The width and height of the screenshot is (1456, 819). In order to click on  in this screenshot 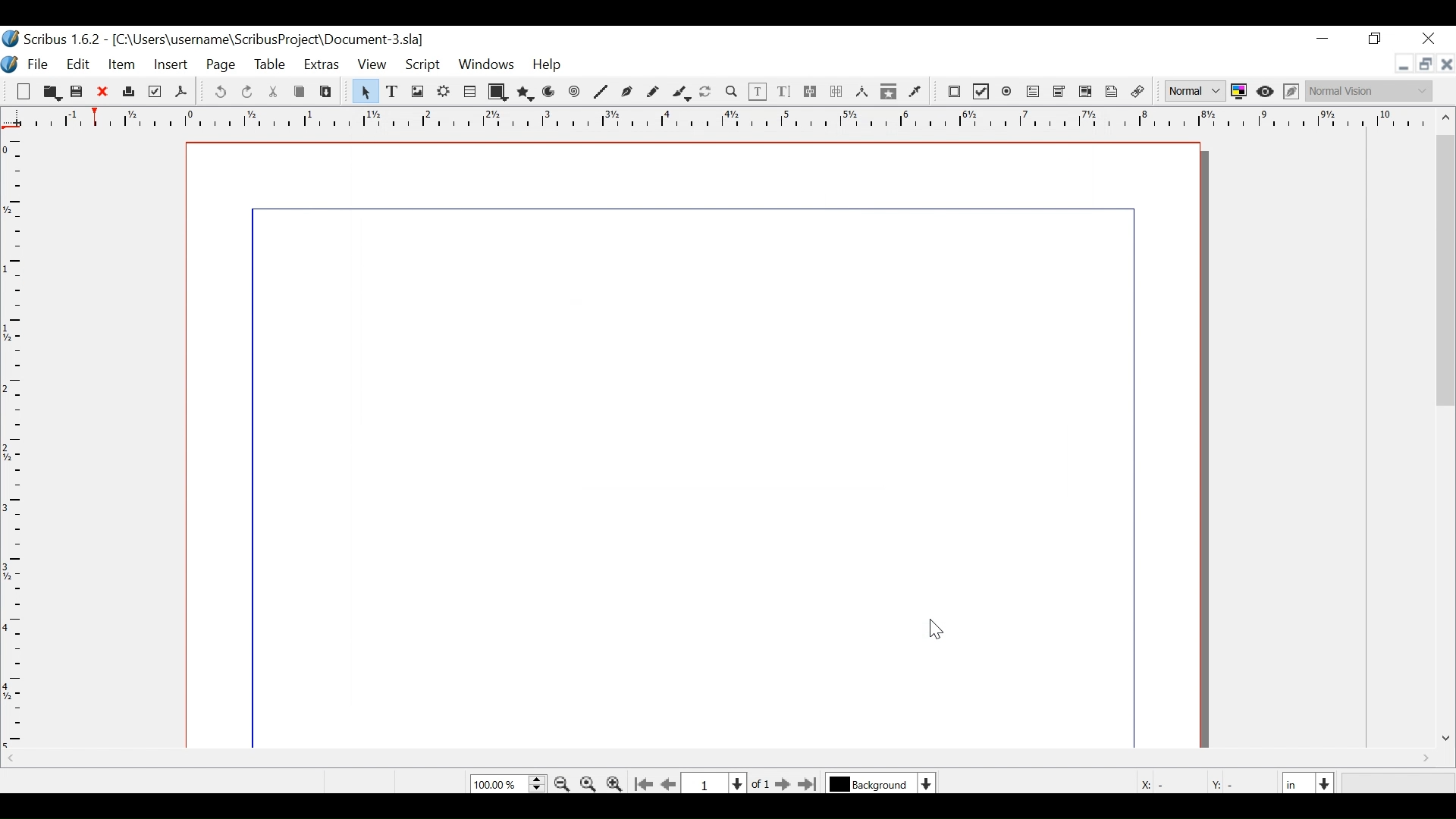, I will do `click(926, 782)`.